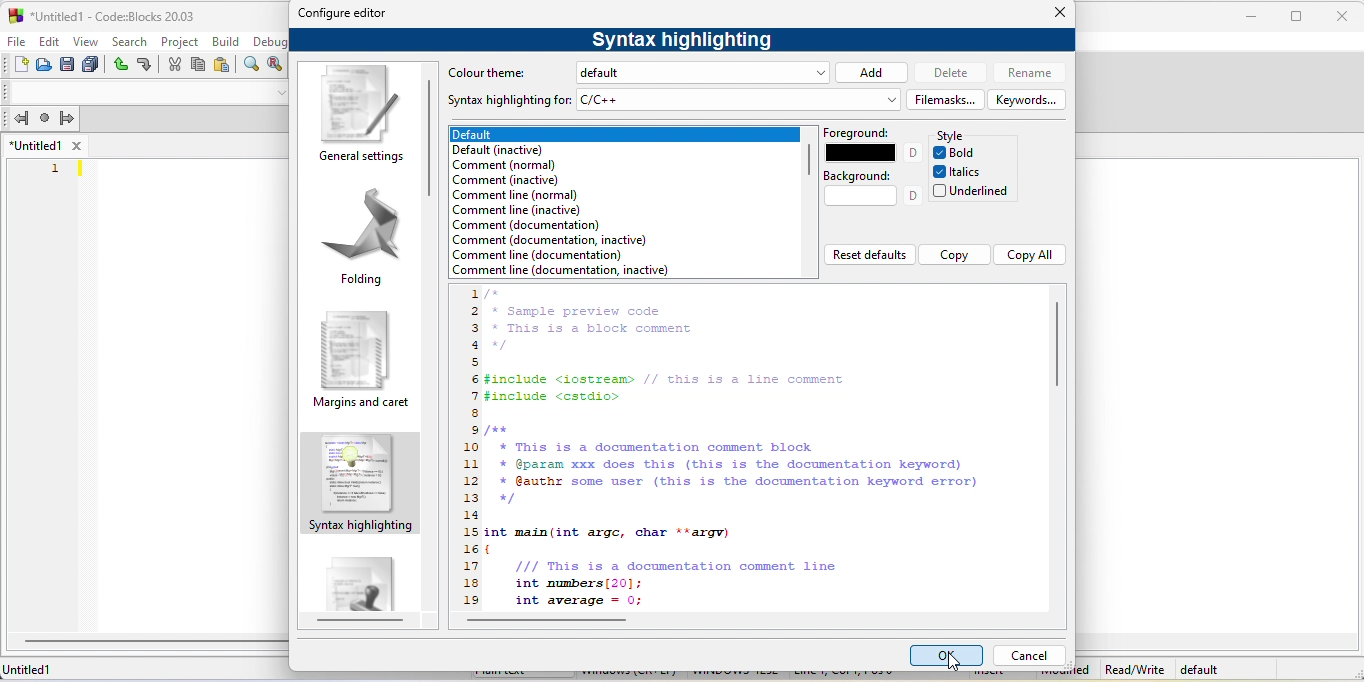 The width and height of the screenshot is (1364, 682). What do you see at coordinates (91, 65) in the screenshot?
I see `save everything` at bounding box center [91, 65].